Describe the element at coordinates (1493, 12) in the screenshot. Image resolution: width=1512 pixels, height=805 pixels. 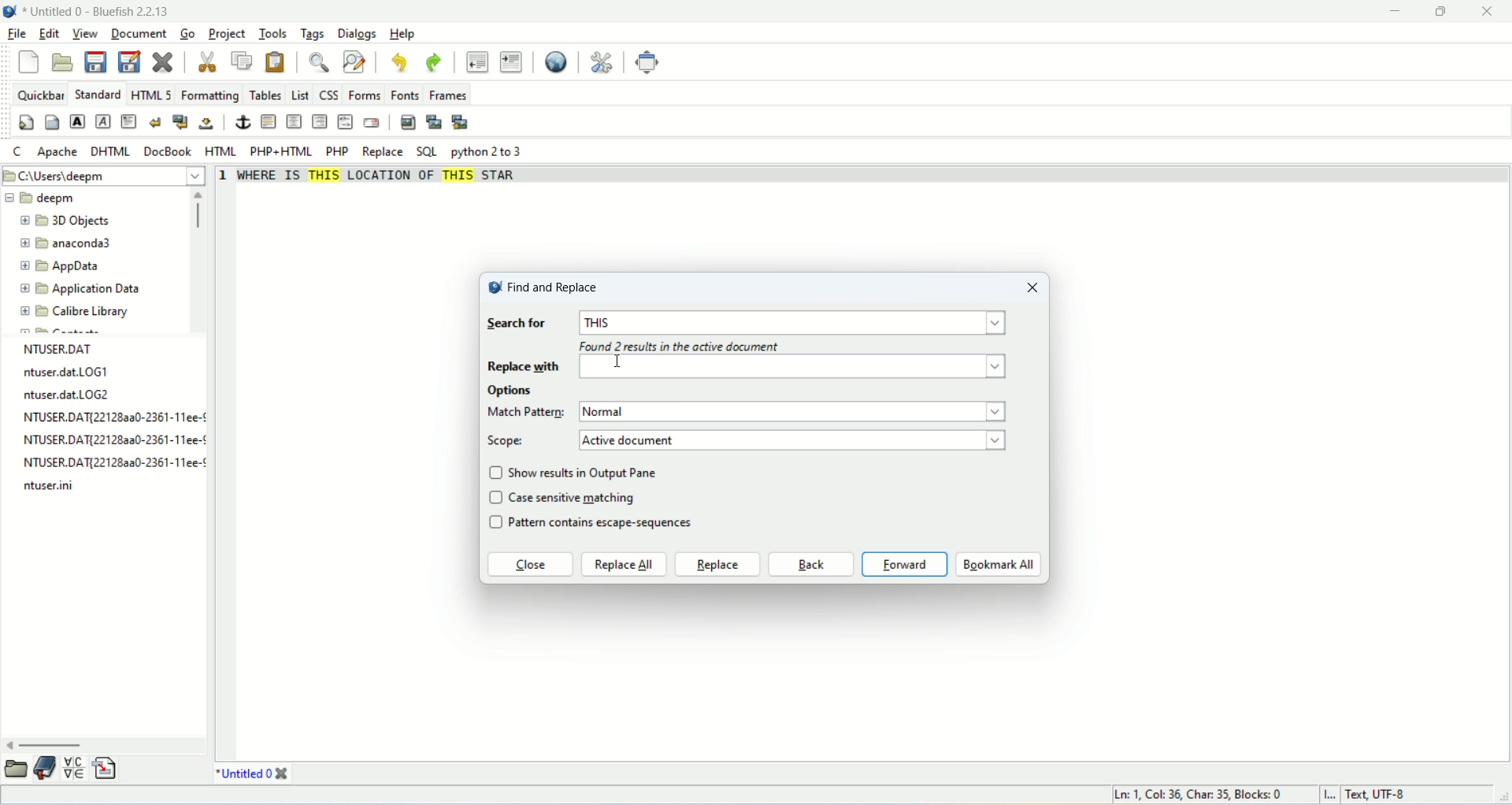
I see `close` at that location.